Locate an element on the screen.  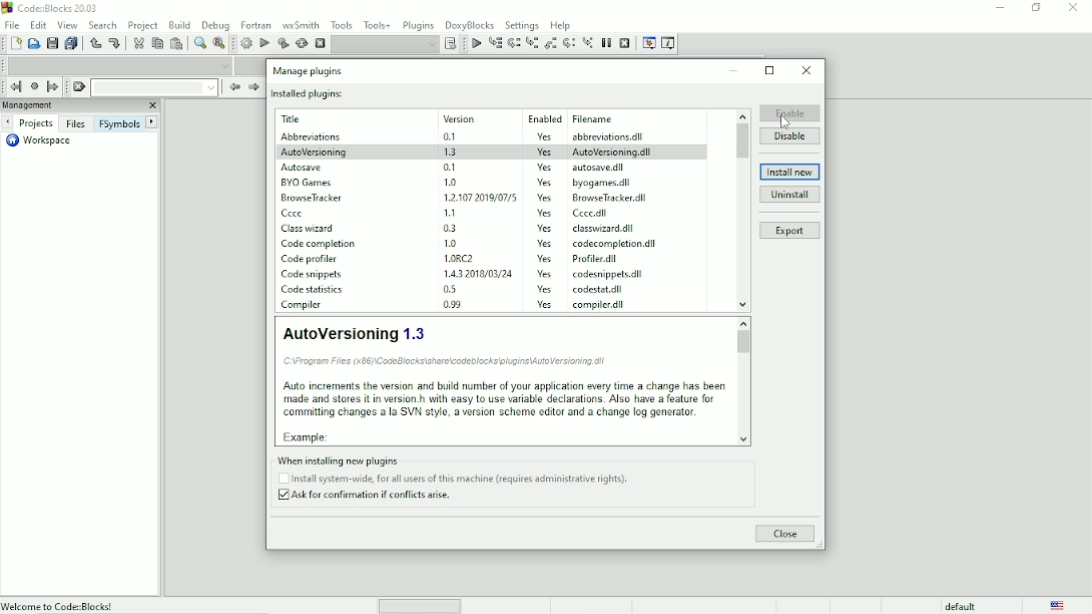
version  is located at coordinates (448, 228).